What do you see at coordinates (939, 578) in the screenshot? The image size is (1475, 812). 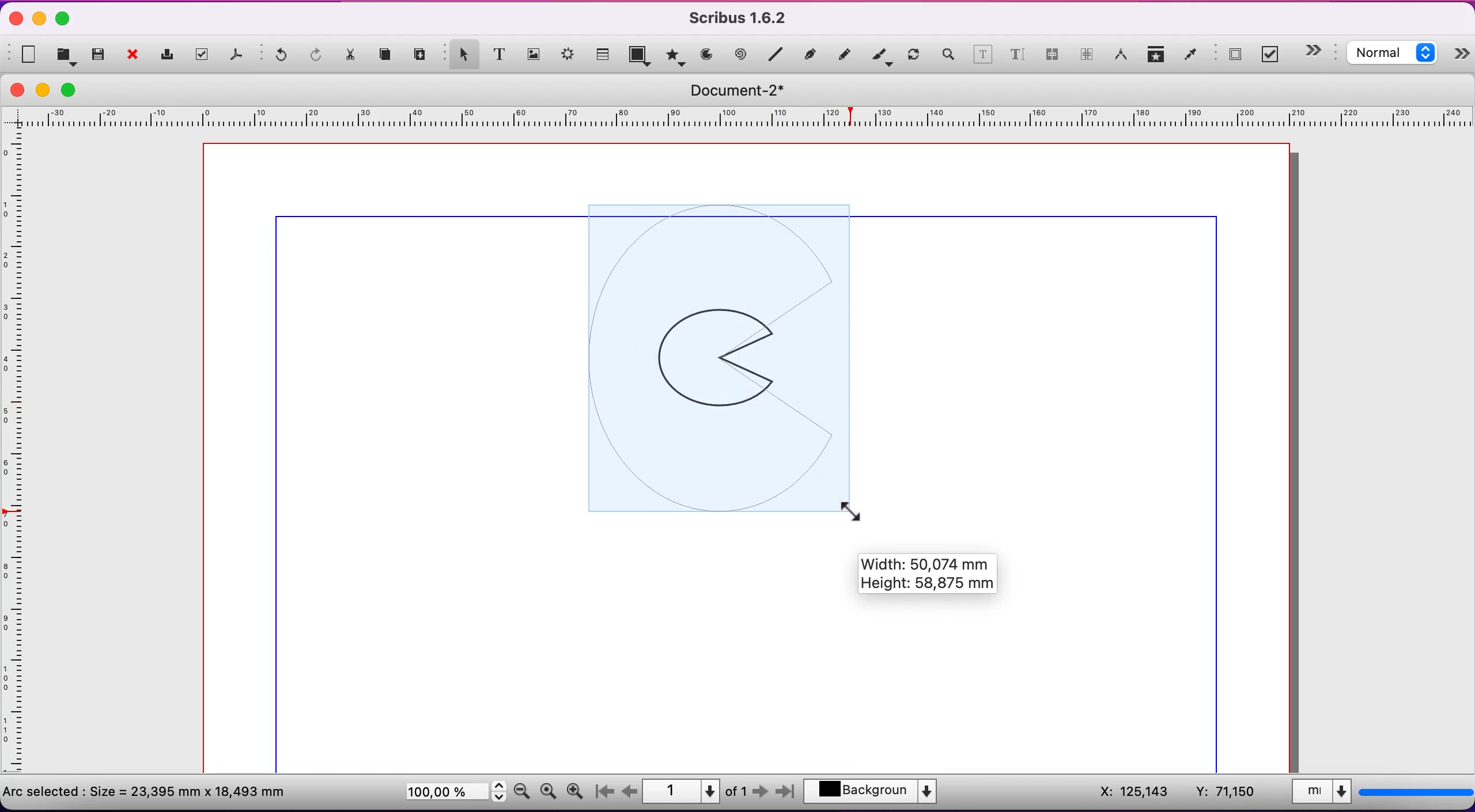 I see `width and height` at bounding box center [939, 578].